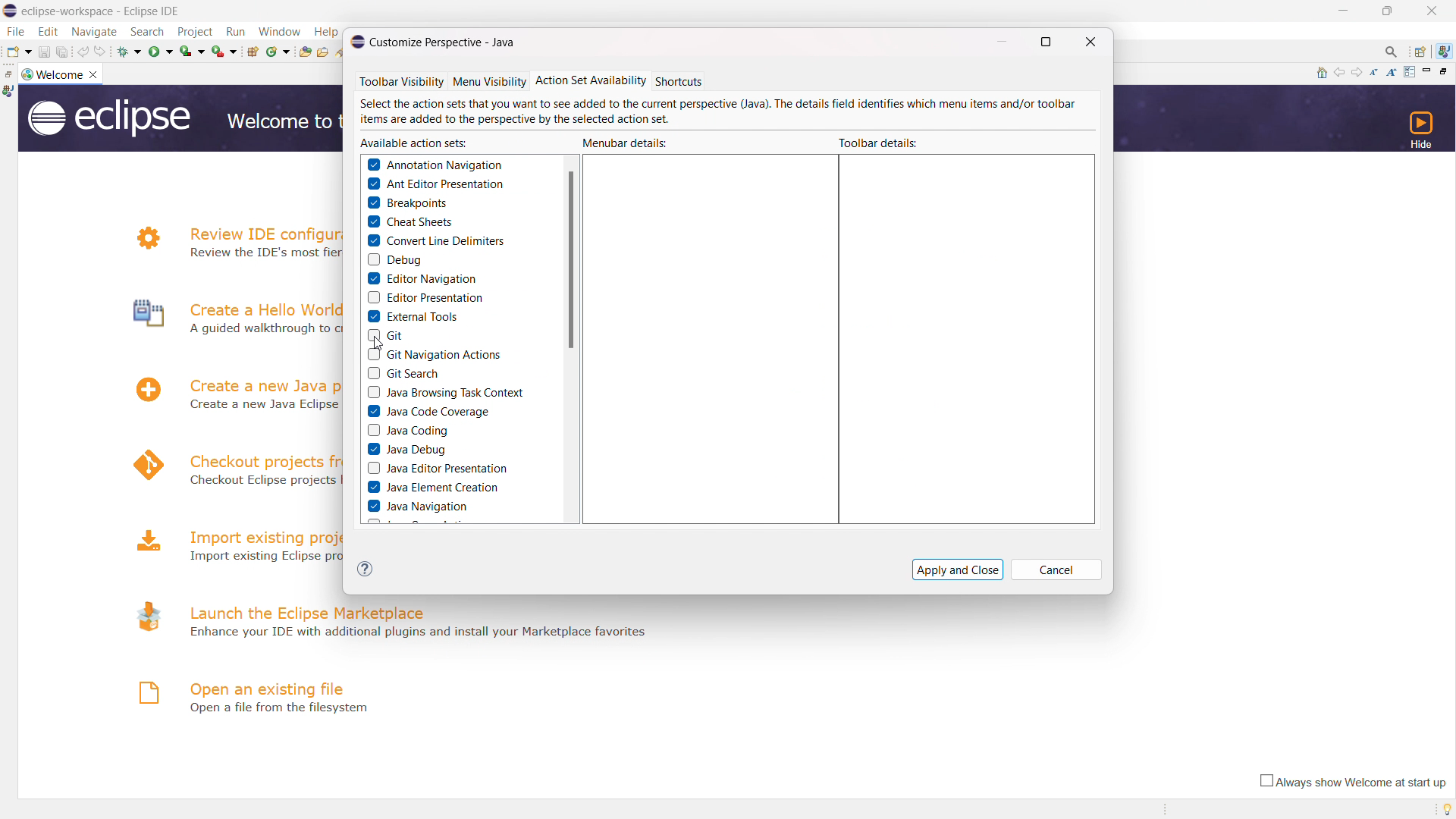  I want to click on edit, so click(48, 31).